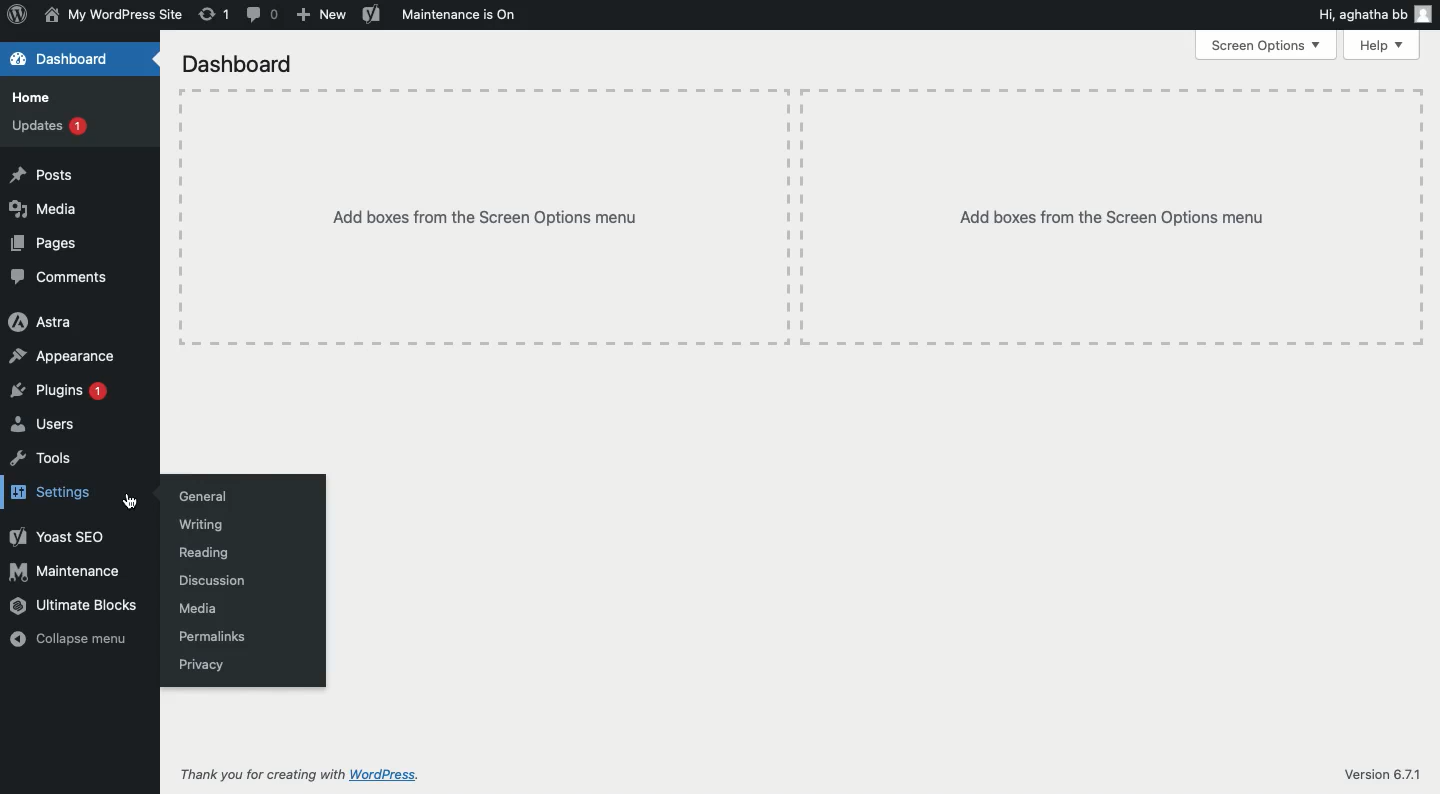 The width and height of the screenshot is (1440, 794). I want to click on Comment, so click(264, 15).